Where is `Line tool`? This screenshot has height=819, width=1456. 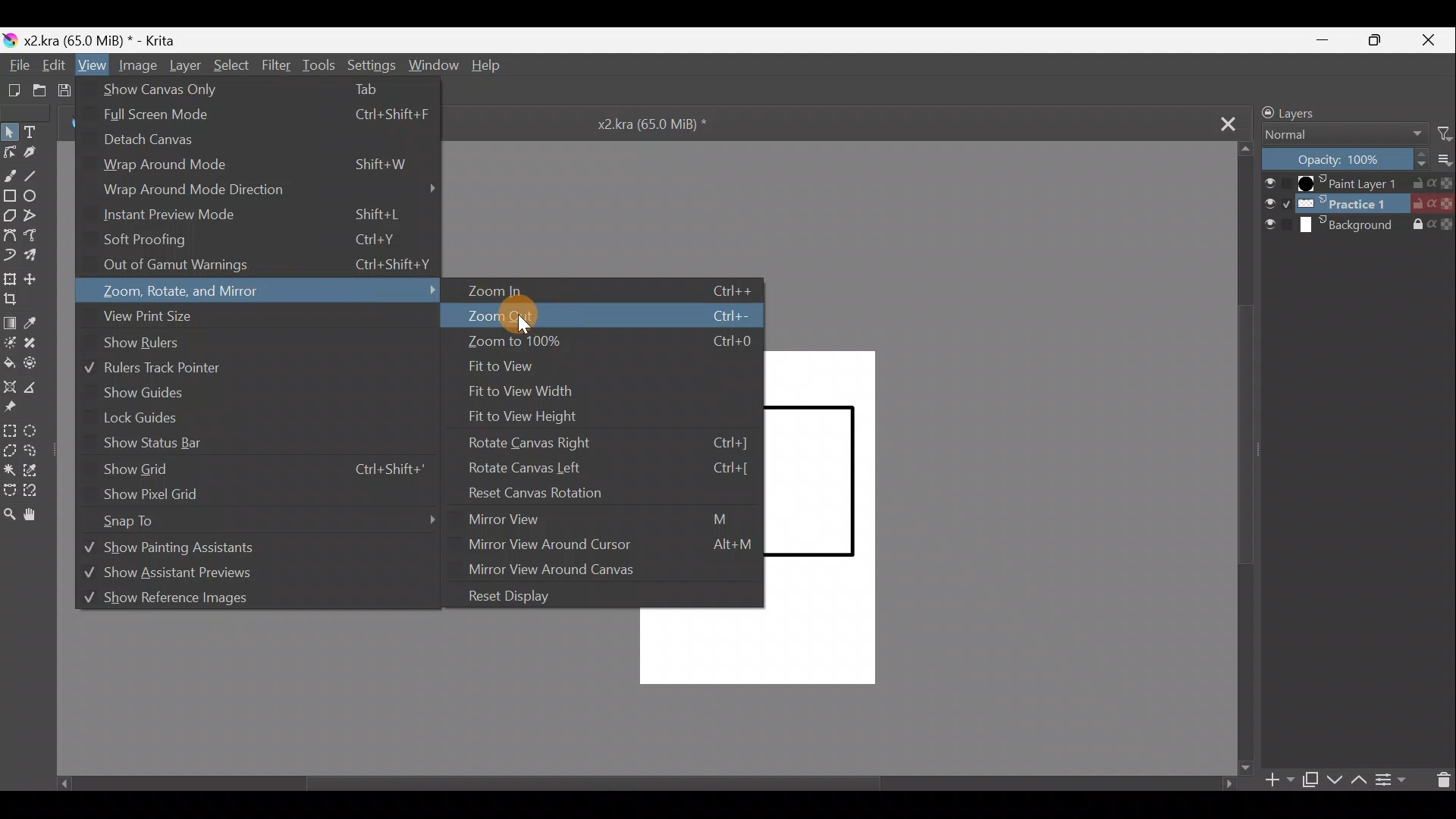
Line tool is located at coordinates (38, 174).